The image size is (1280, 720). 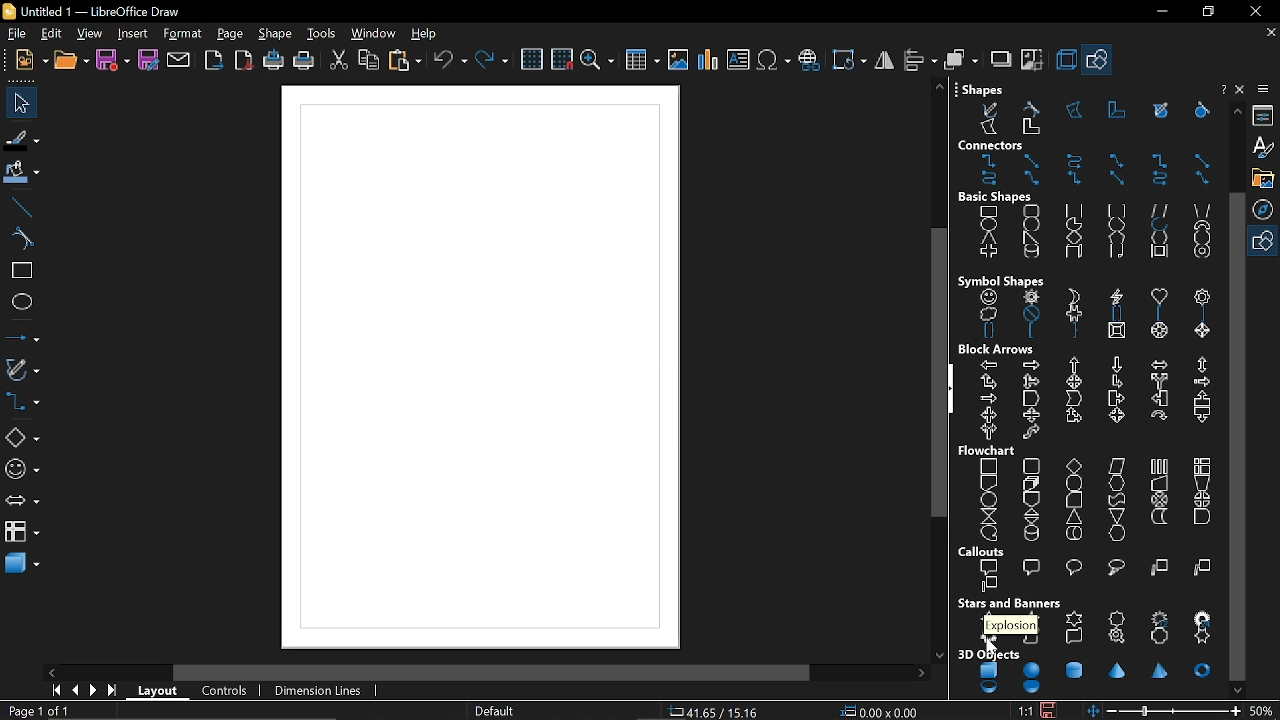 I want to click on align, so click(x=918, y=60).